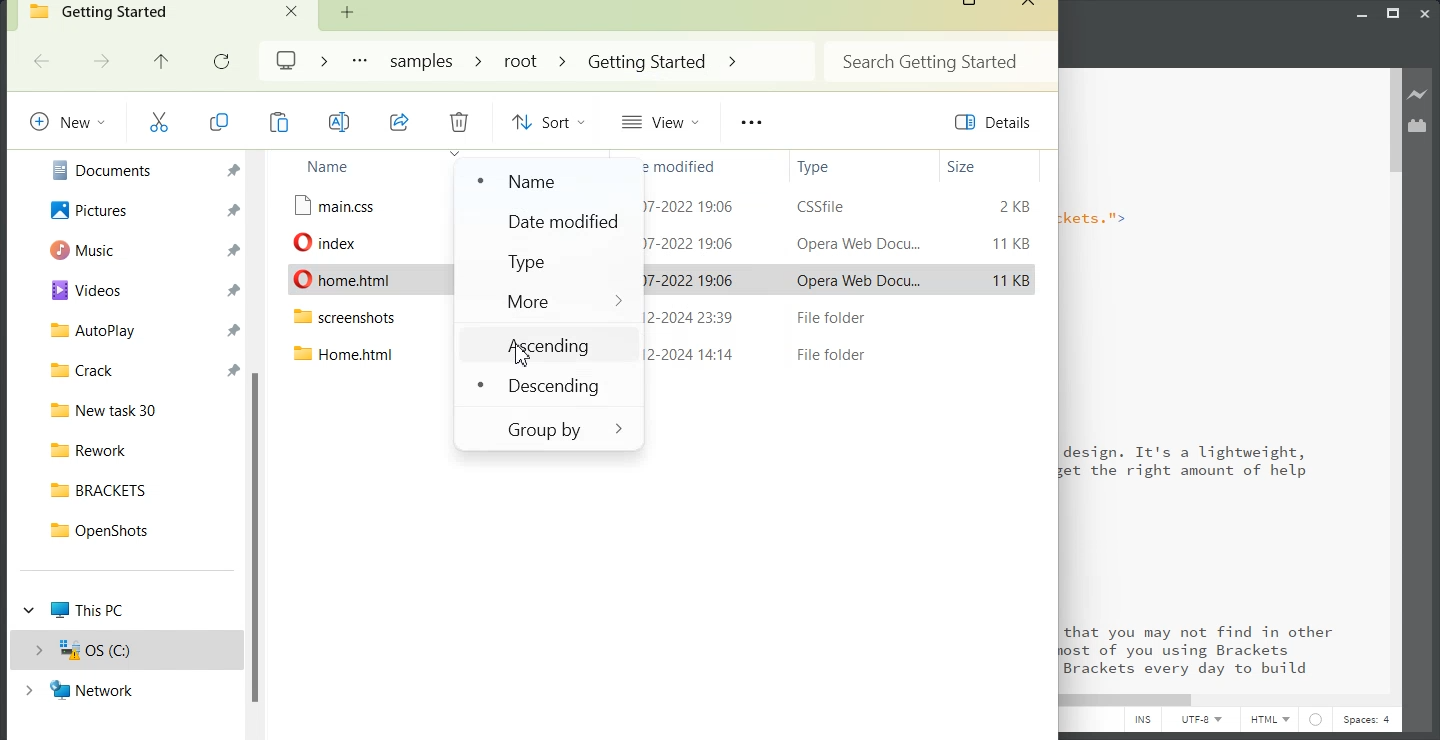 Image resolution: width=1440 pixels, height=740 pixels. Describe the element at coordinates (102, 61) in the screenshot. I see `Go forward` at that location.